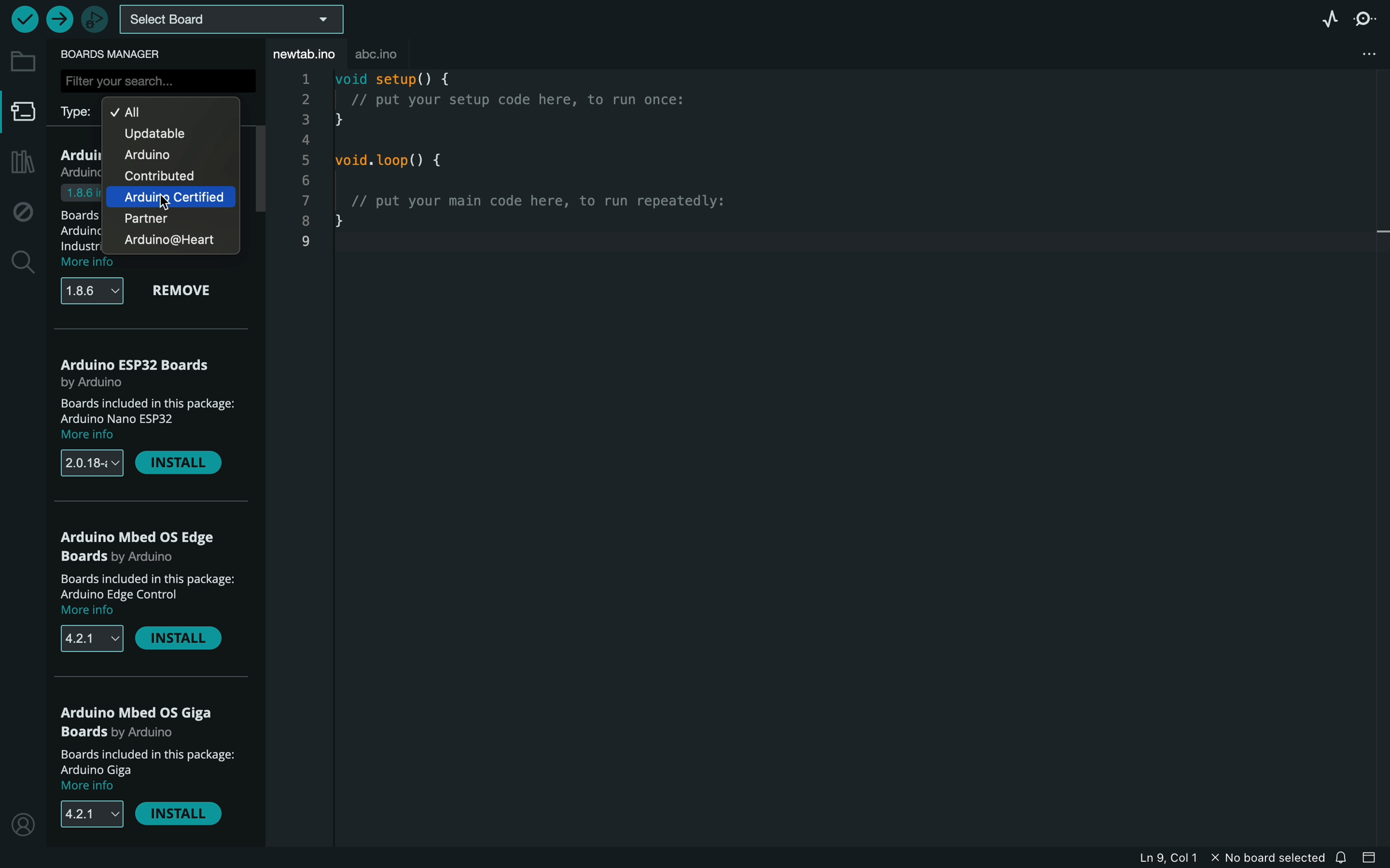 Image resolution: width=1390 pixels, height=868 pixels. Describe the element at coordinates (22, 822) in the screenshot. I see `profile` at that location.